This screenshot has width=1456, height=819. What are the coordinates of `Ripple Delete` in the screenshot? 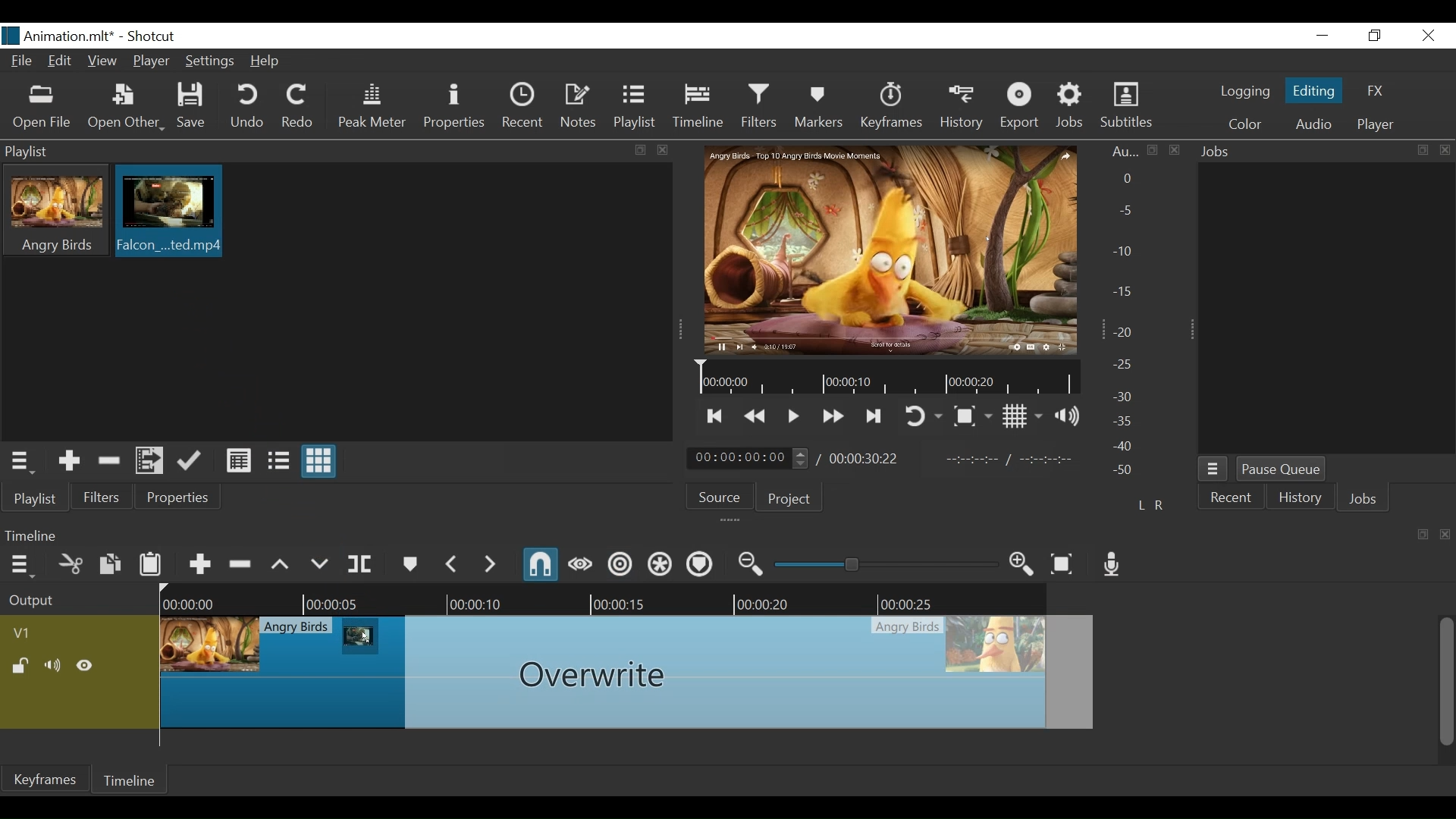 It's located at (242, 562).